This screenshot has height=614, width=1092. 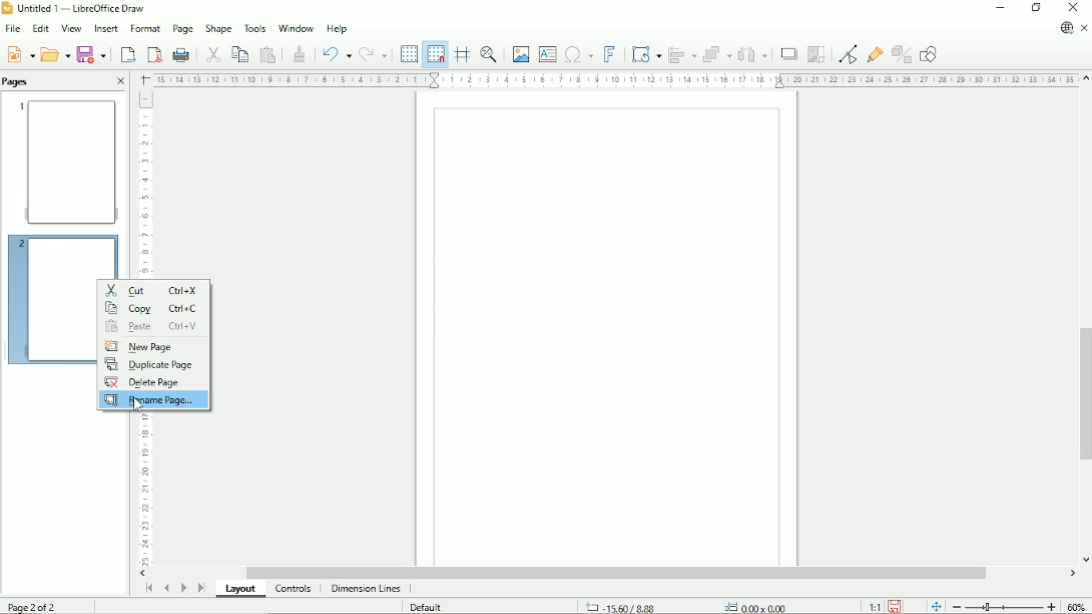 What do you see at coordinates (19, 53) in the screenshot?
I see `New` at bounding box center [19, 53].